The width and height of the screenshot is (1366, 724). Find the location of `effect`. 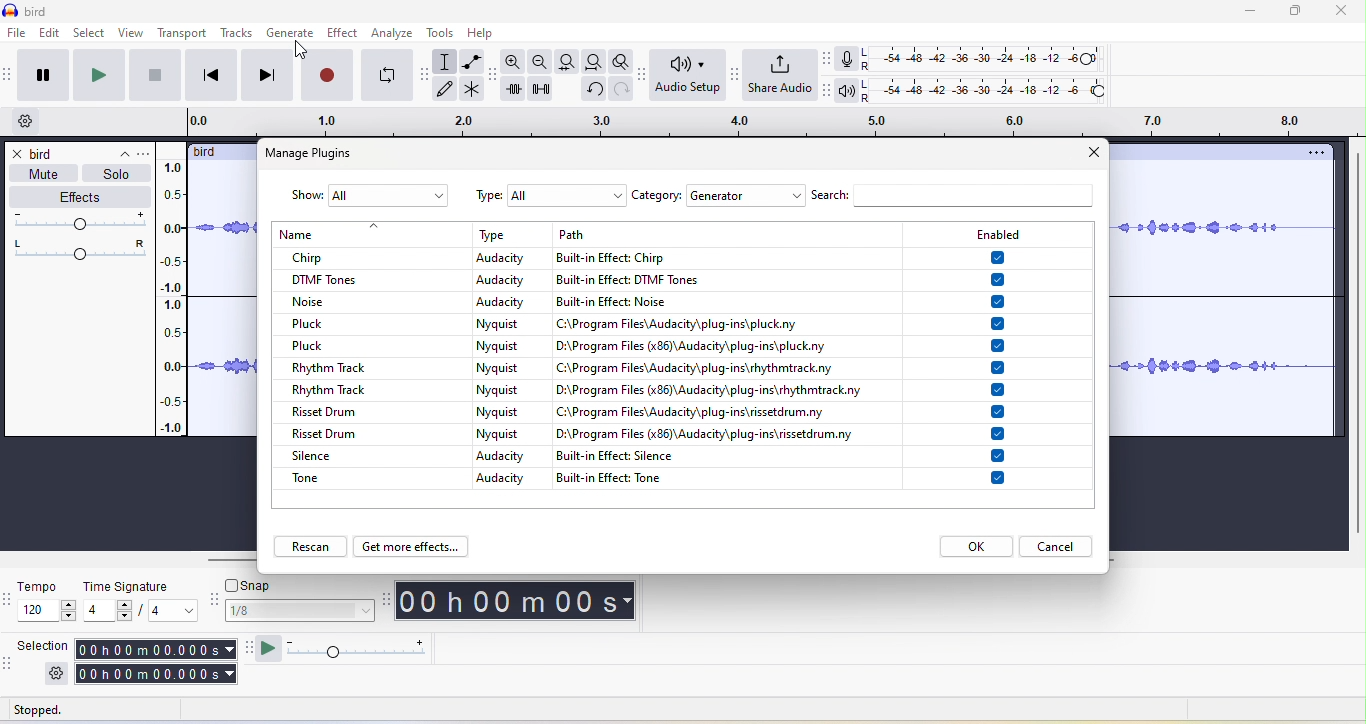

effect is located at coordinates (346, 35).